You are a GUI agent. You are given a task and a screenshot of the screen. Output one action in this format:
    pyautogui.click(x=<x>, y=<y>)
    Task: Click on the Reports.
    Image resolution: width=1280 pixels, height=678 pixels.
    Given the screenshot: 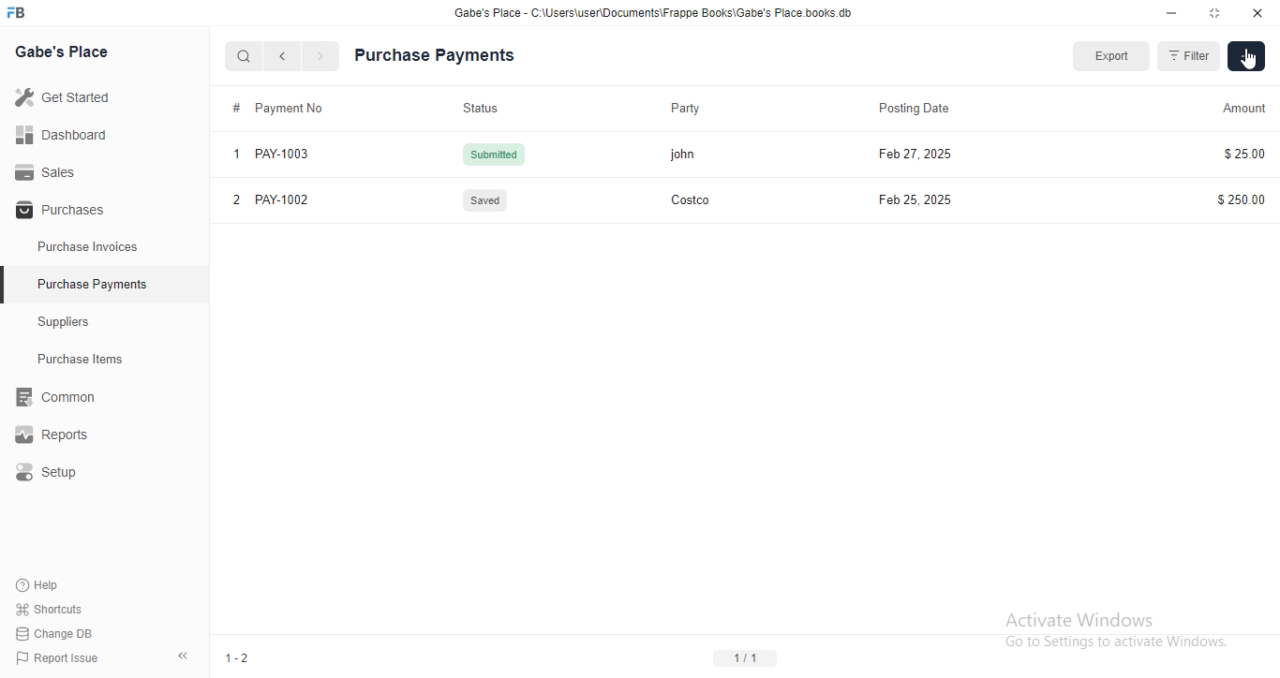 What is the action you would take?
    pyautogui.click(x=59, y=435)
    